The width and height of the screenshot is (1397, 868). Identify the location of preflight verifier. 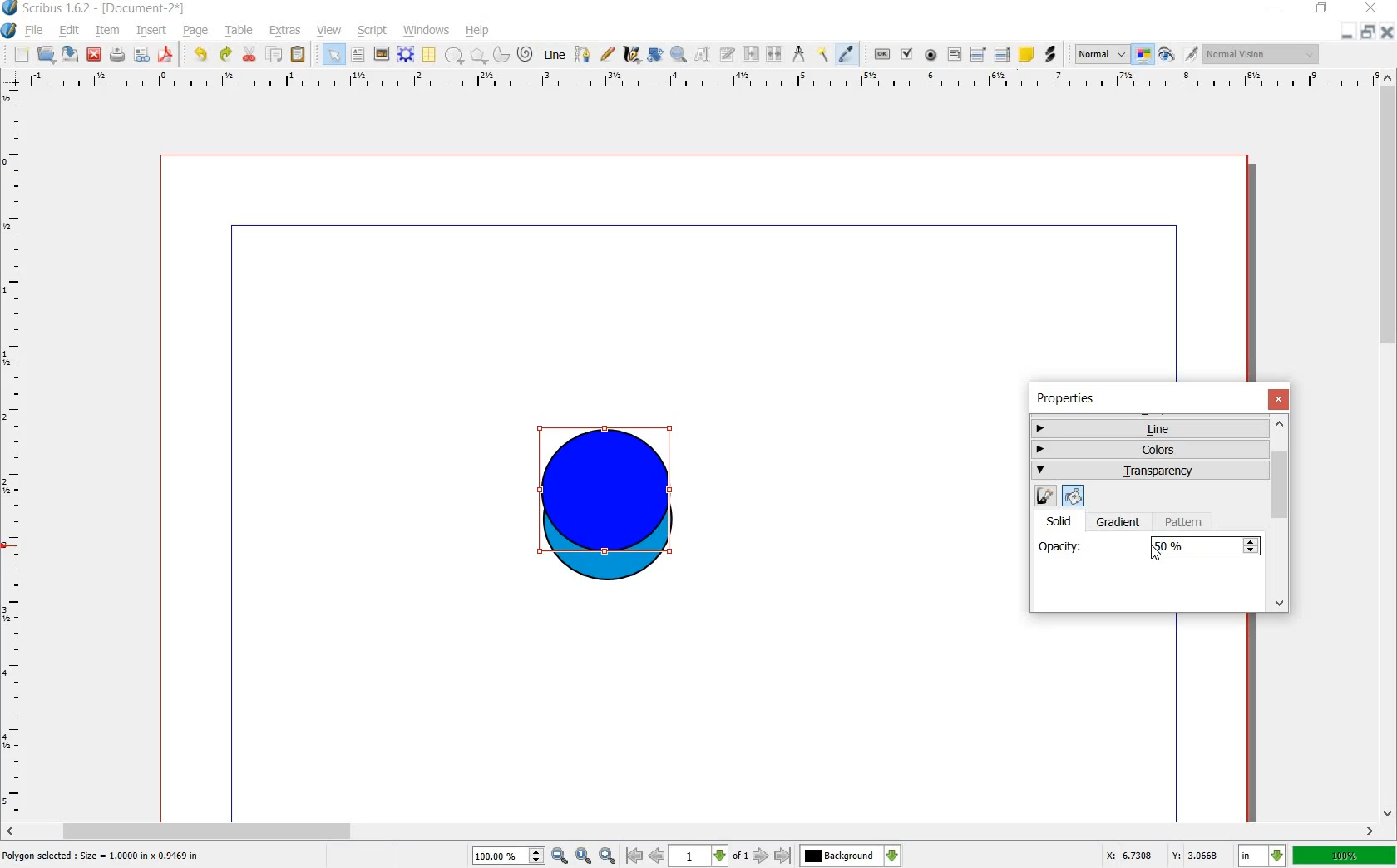
(142, 55).